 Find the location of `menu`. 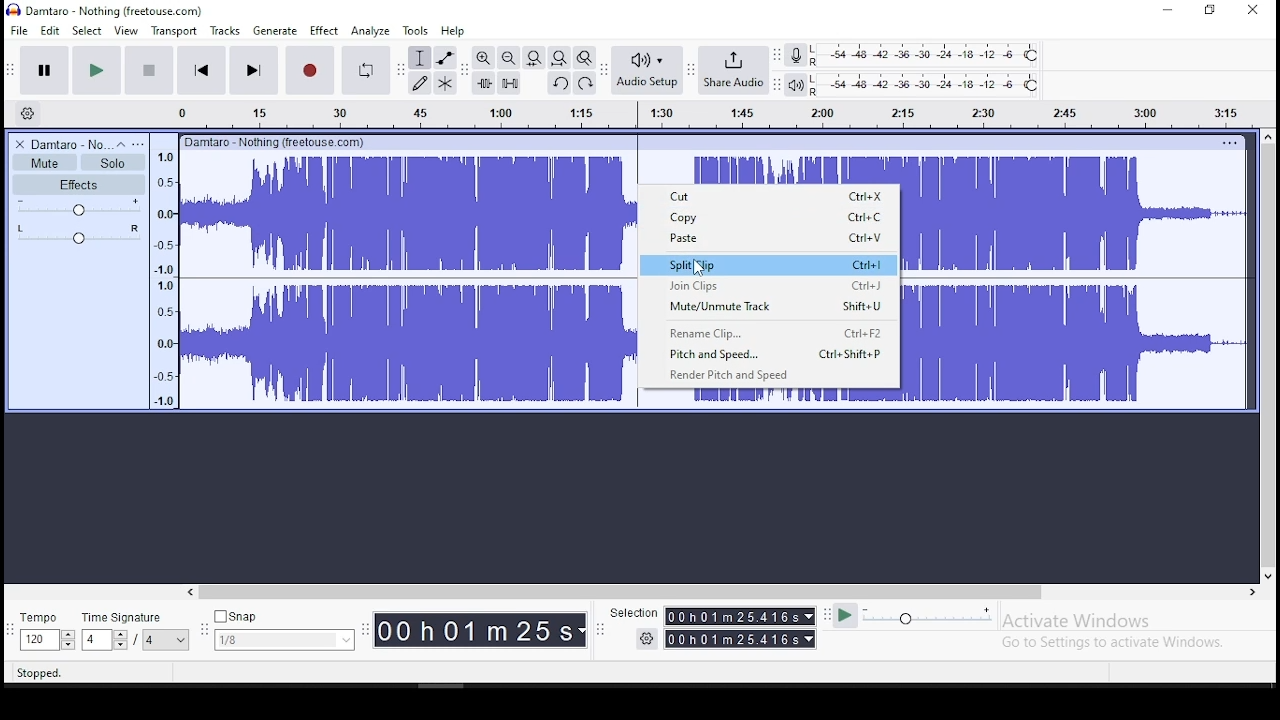

menu is located at coordinates (167, 639).